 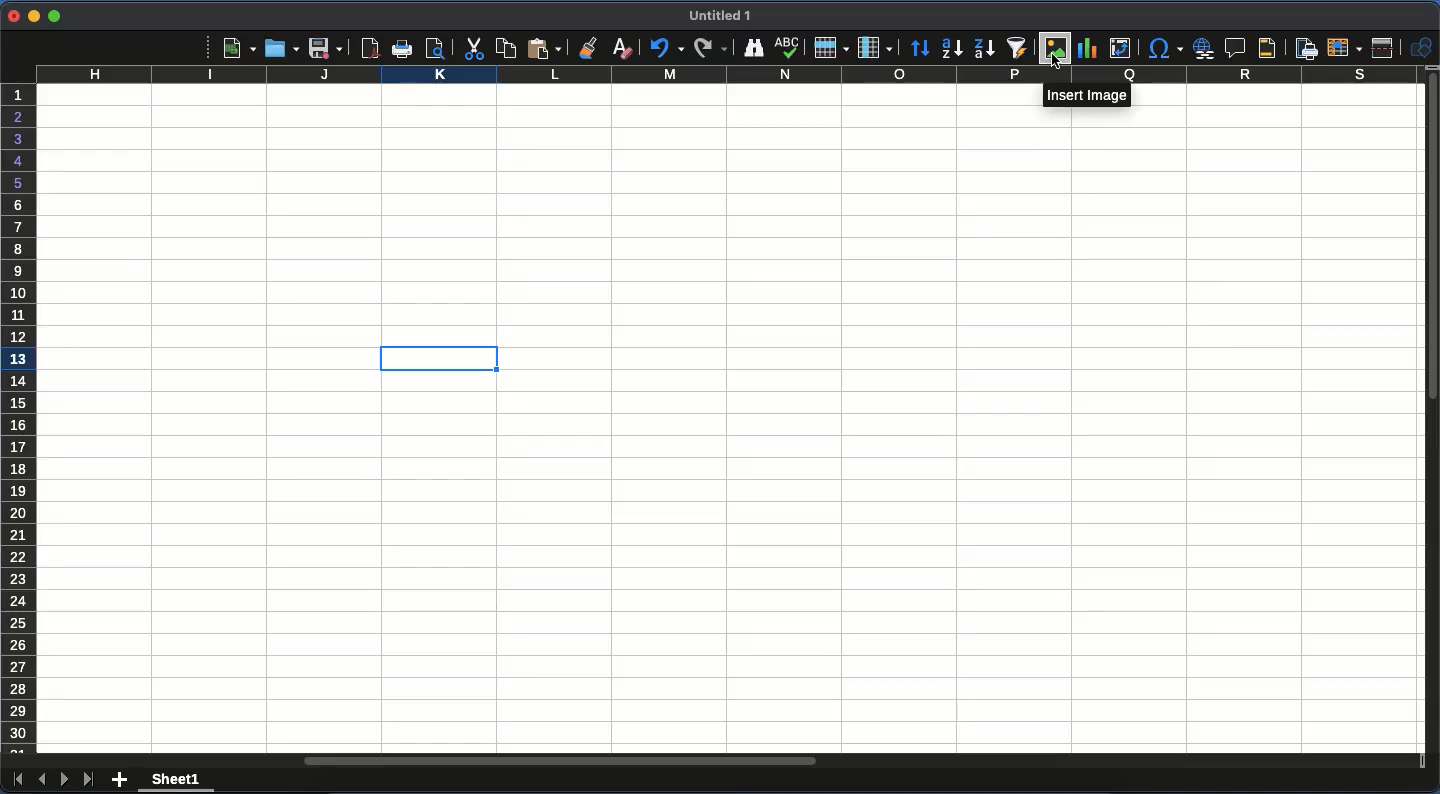 What do you see at coordinates (953, 49) in the screenshot?
I see `ascending` at bounding box center [953, 49].